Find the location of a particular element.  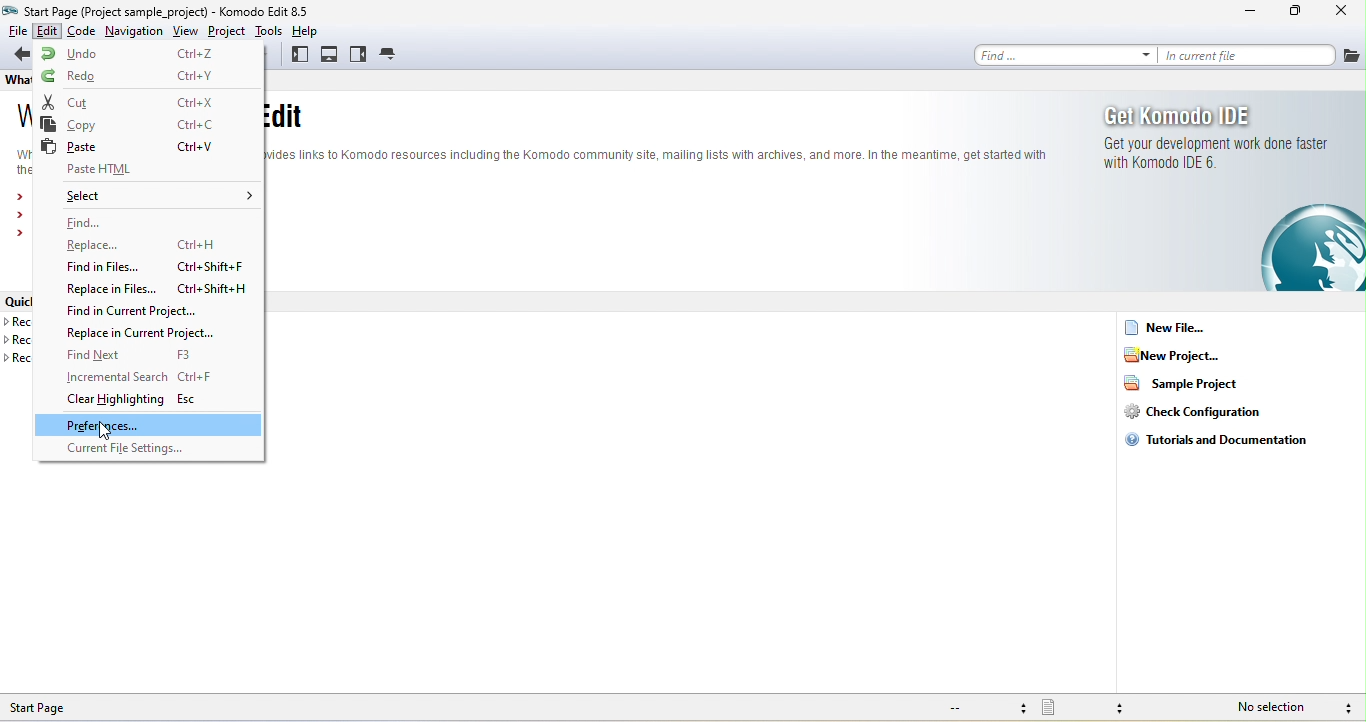

redo is located at coordinates (147, 76).